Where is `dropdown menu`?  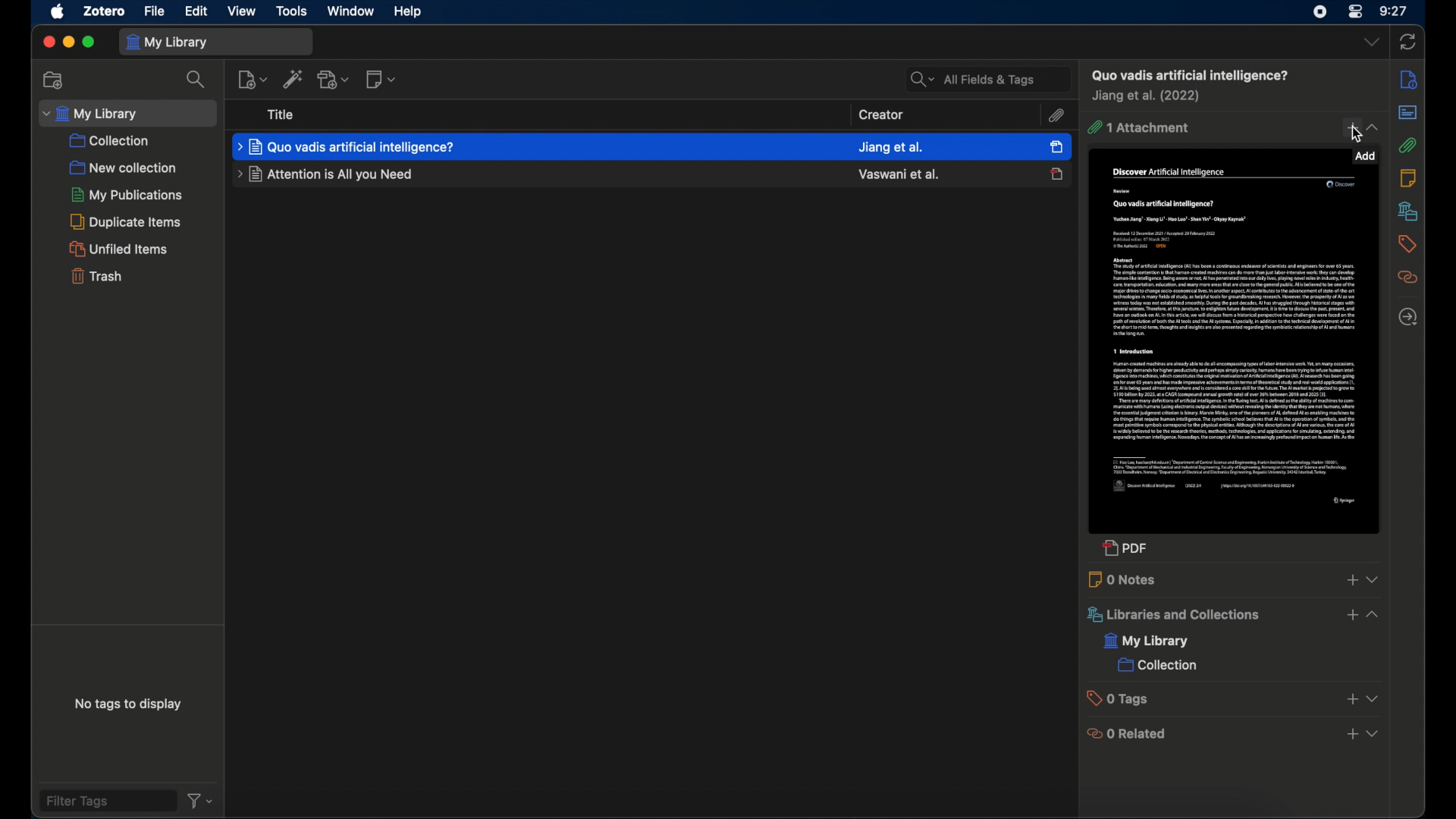
dropdown menu is located at coordinates (1373, 127).